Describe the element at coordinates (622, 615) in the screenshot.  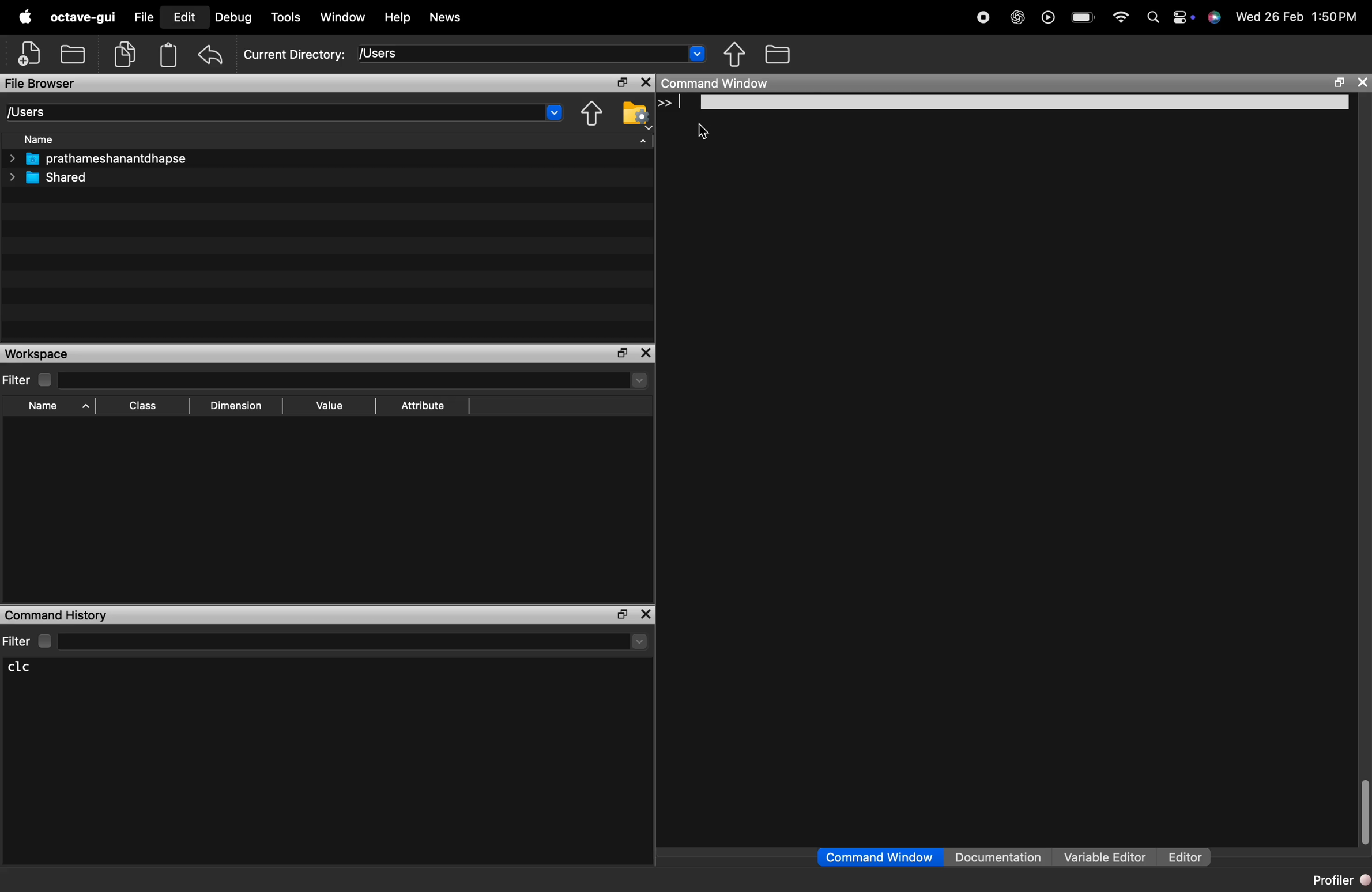
I see `Maximize` at that location.